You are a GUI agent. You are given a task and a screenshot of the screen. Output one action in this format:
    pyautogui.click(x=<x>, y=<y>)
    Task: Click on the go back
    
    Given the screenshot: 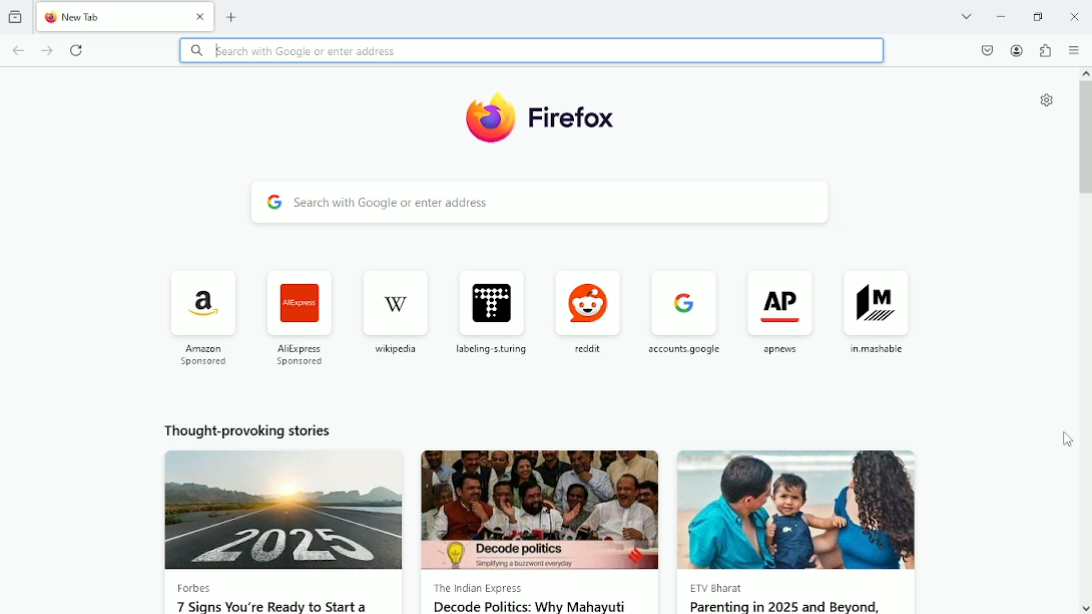 What is the action you would take?
    pyautogui.click(x=18, y=50)
    